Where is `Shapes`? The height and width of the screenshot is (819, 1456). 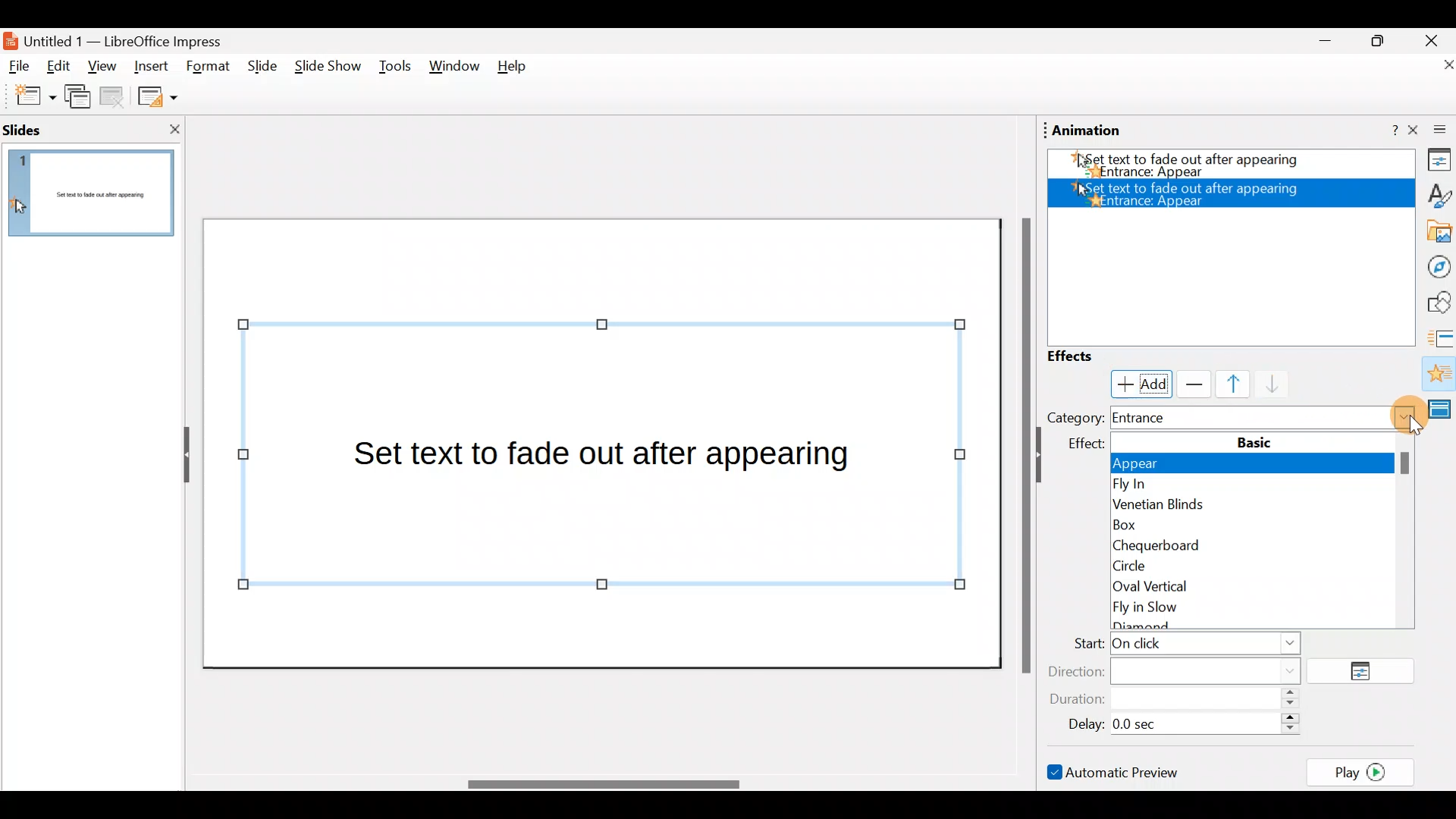
Shapes is located at coordinates (1437, 303).